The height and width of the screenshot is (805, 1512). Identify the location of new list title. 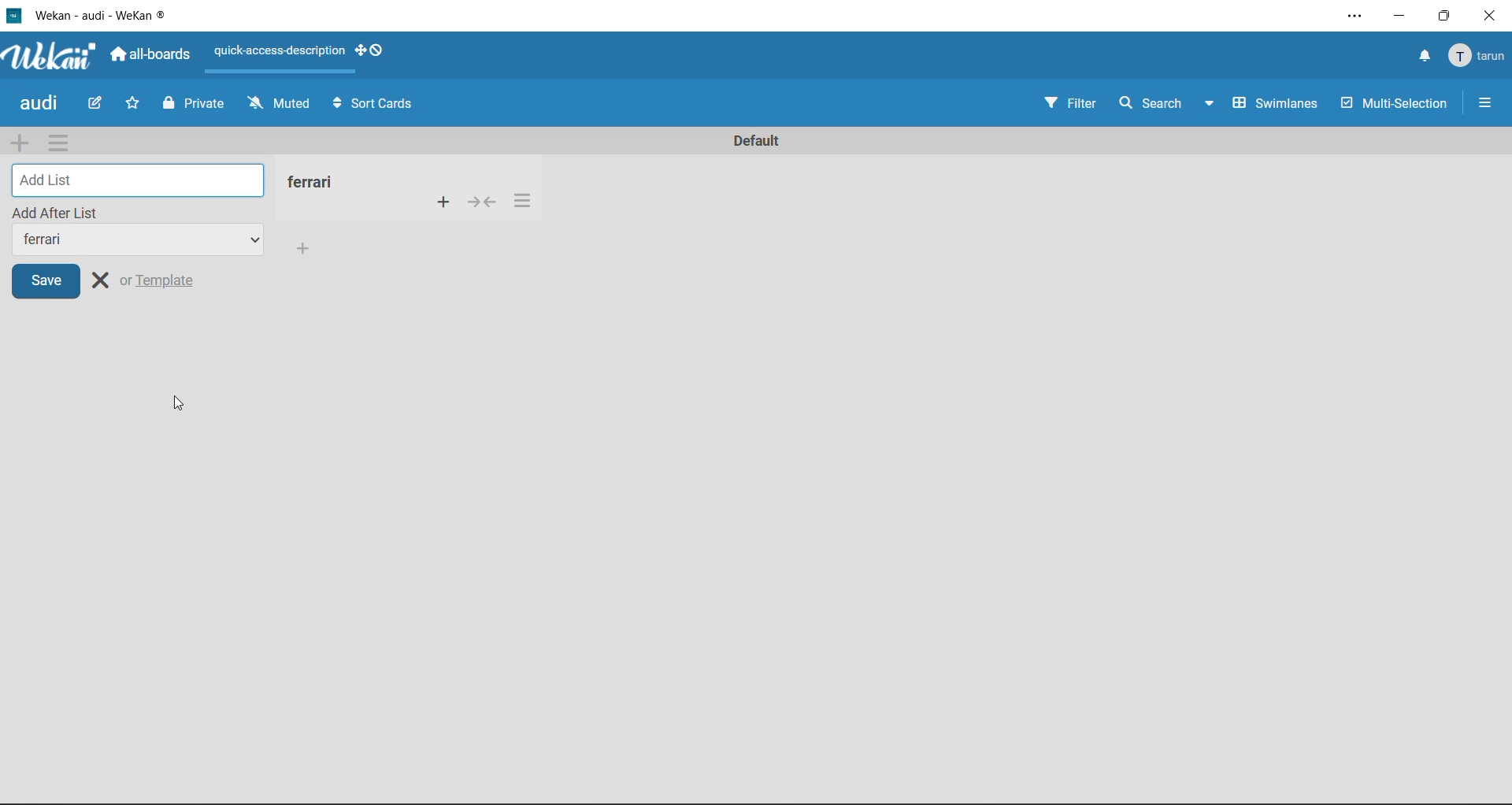
(325, 180).